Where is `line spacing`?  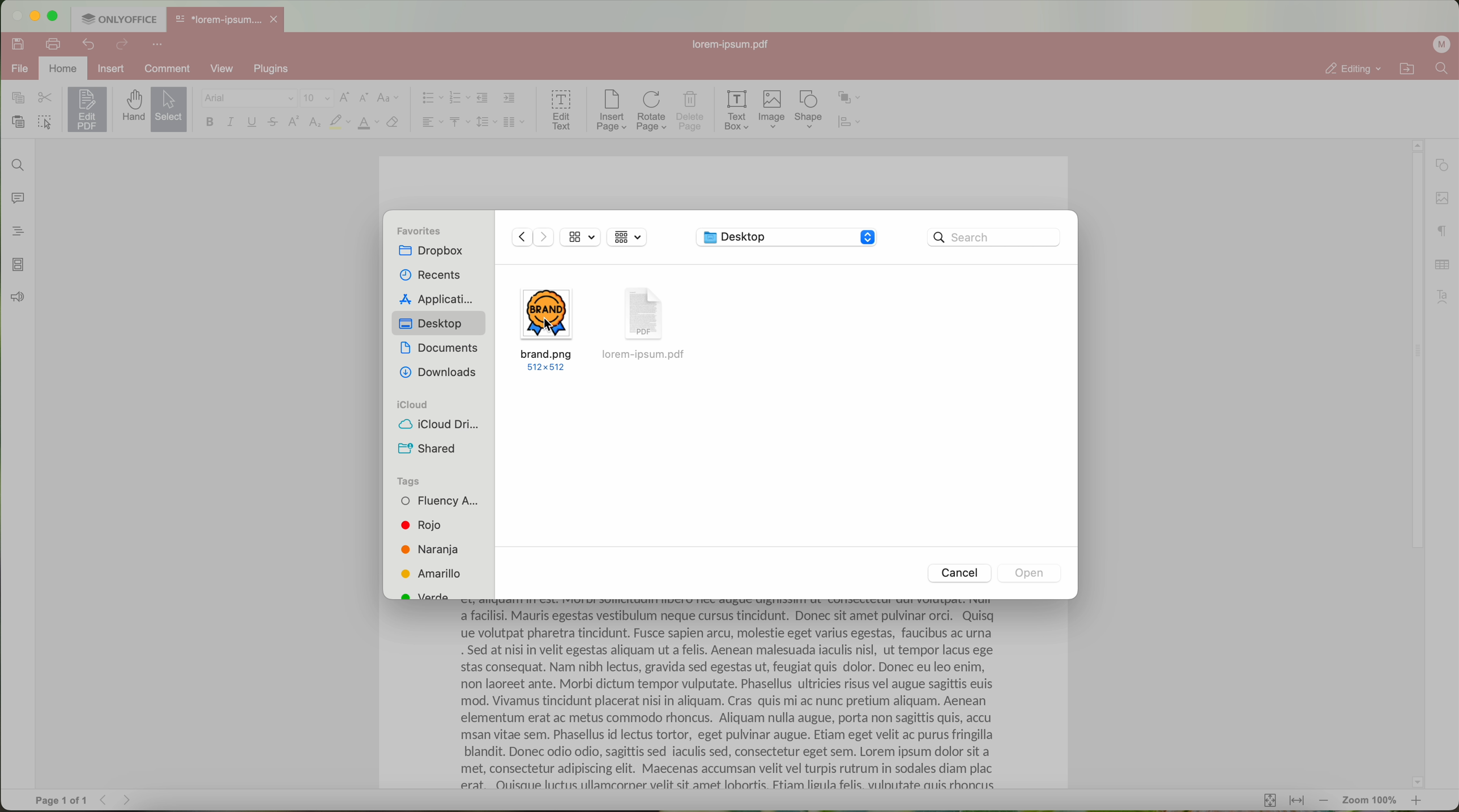
line spacing is located at coordinates (487, 122).